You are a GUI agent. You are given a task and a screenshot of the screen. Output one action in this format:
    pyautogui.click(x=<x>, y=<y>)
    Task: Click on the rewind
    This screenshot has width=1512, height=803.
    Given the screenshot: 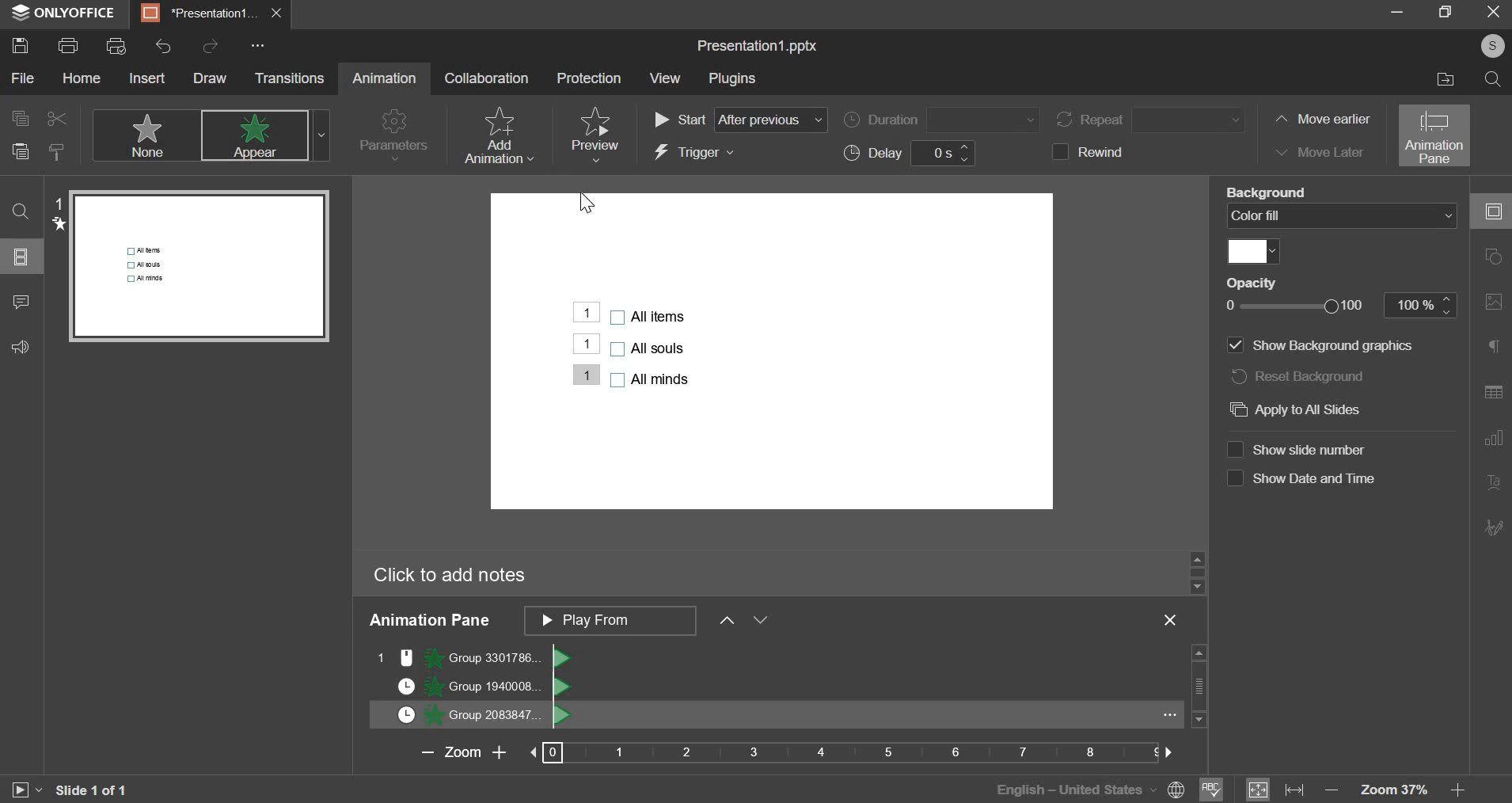 What is the action you would take?
    pyautogui.click(x=1095, y=151)
    